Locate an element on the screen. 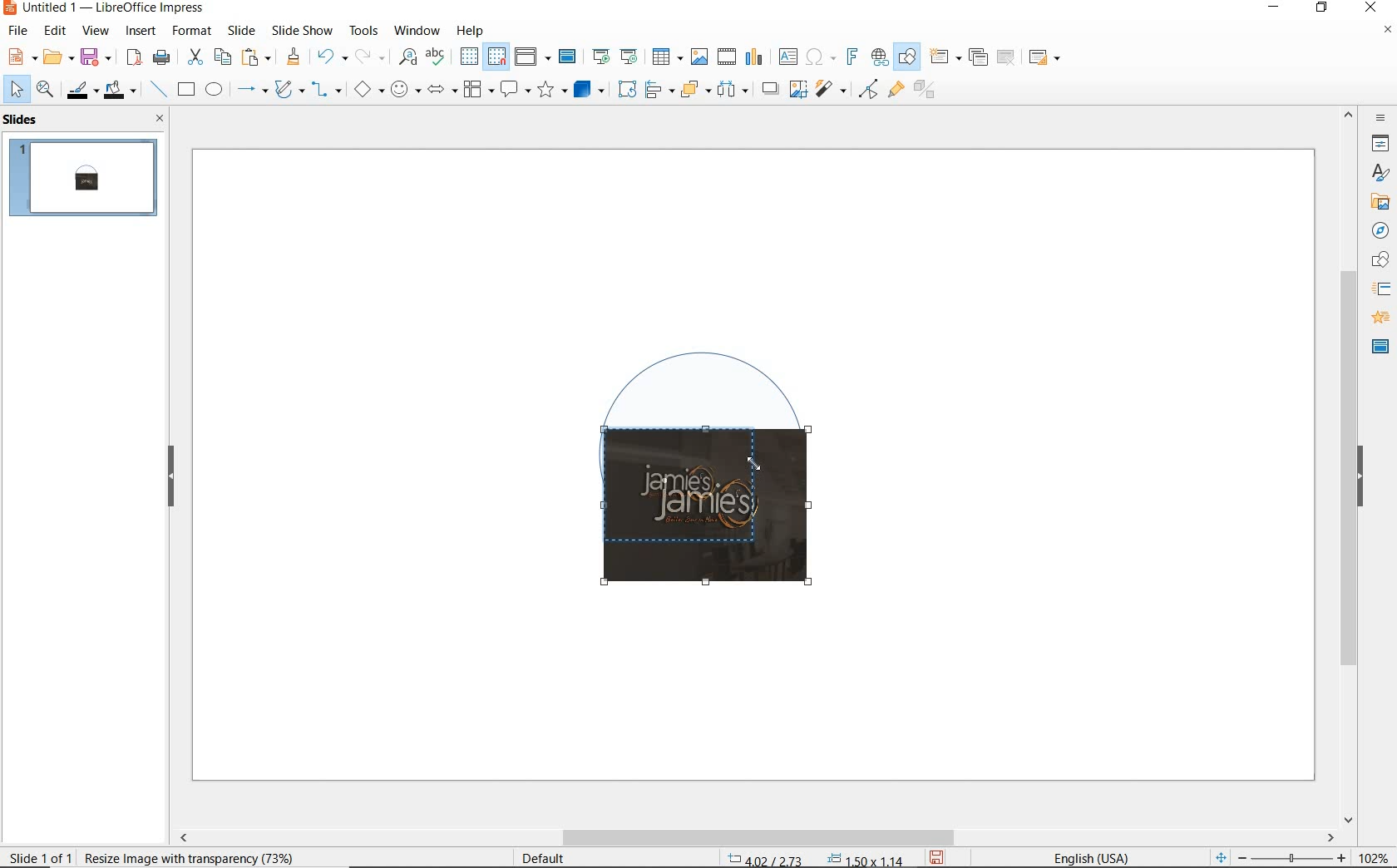 This screenshot has width=1397, height=868. select at least three objects to distribute is located at coordinates (733, 90).